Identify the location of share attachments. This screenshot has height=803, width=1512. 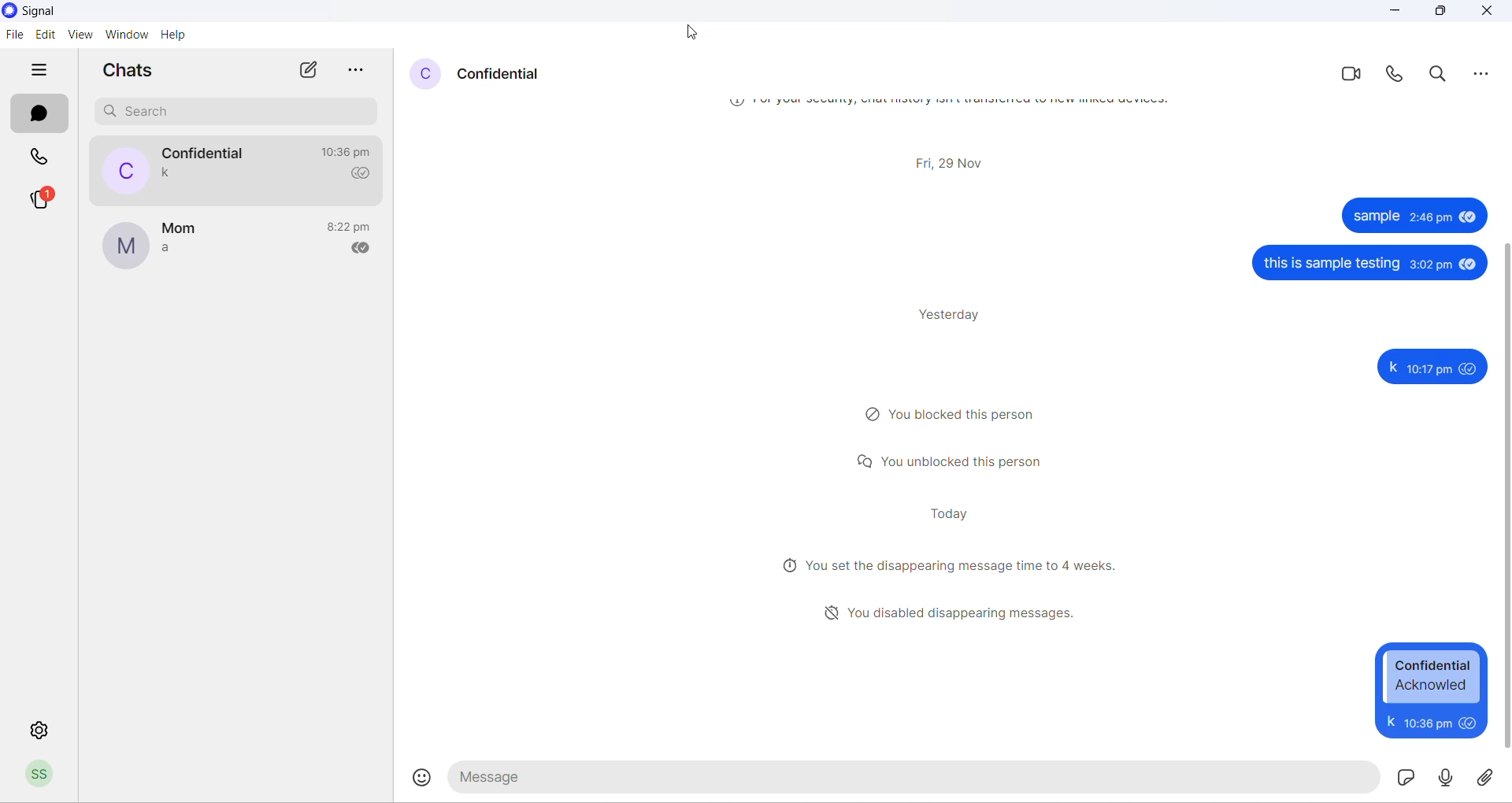
(1490, 775).